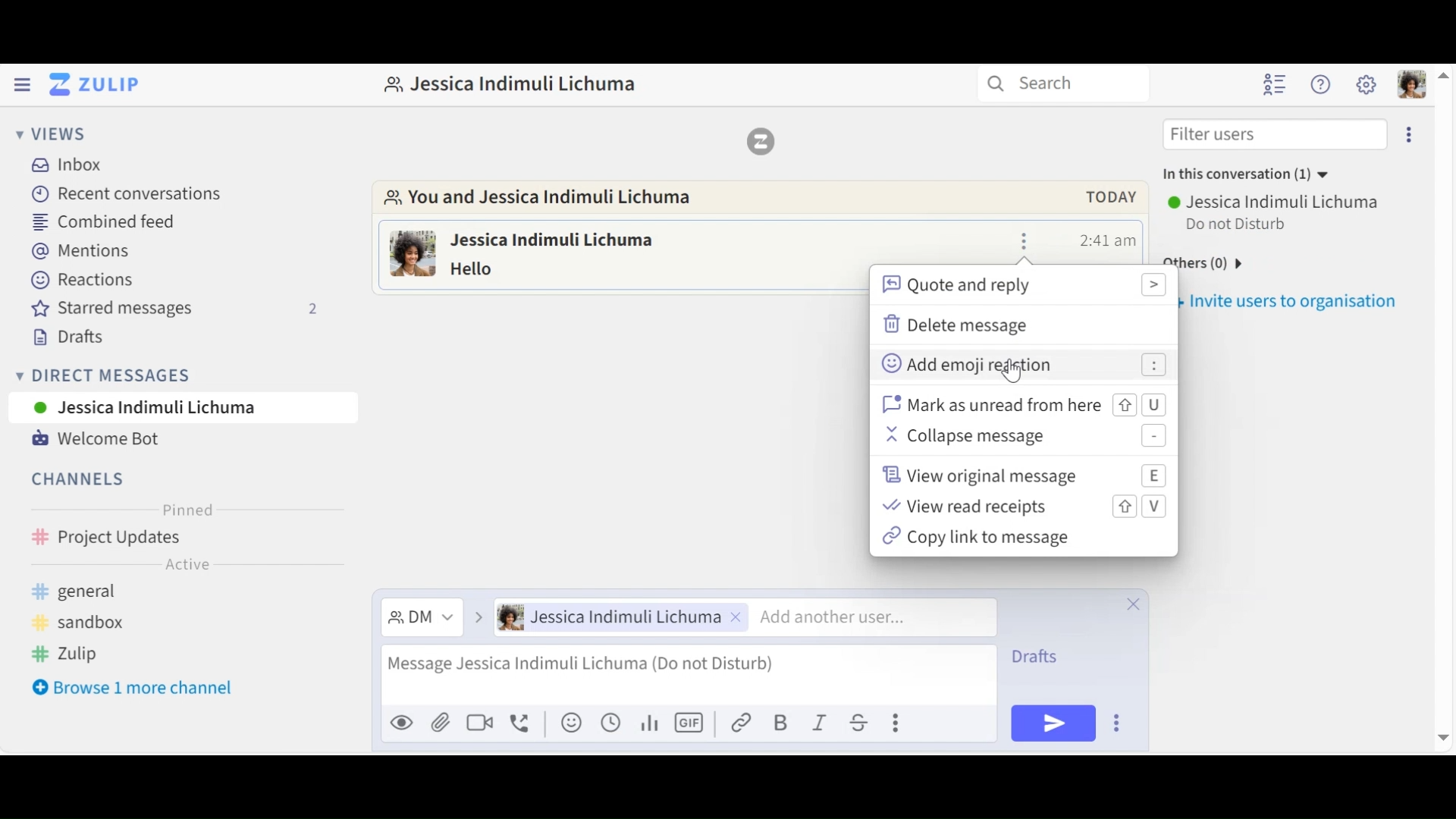 The height and width of the screenshot is (819, 1456). I want to click on Hide Left Sidebar, so click(21, 83).